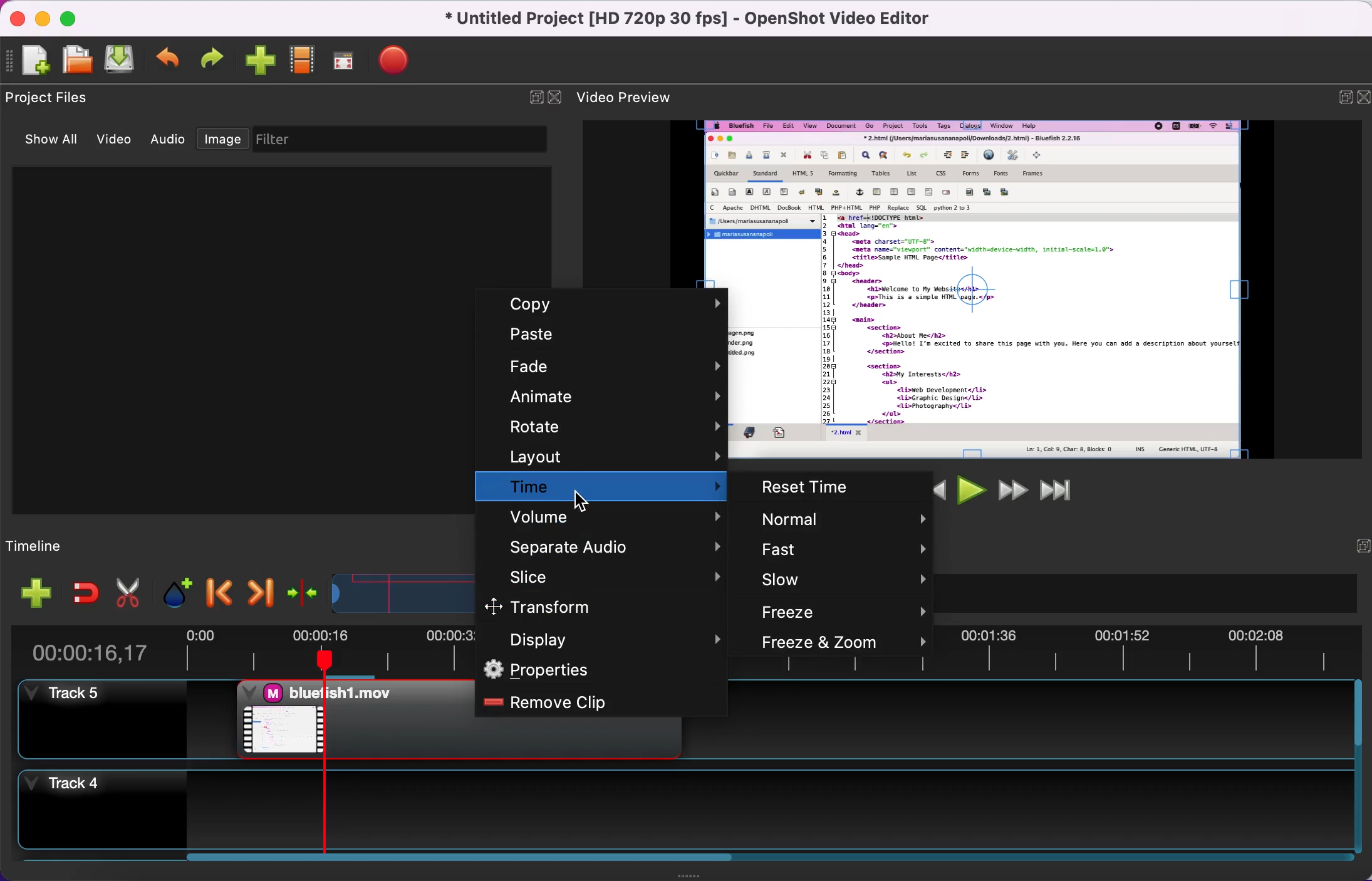 This screenshot has height=881, width=1372. I want to click on close, so click(556, 96).